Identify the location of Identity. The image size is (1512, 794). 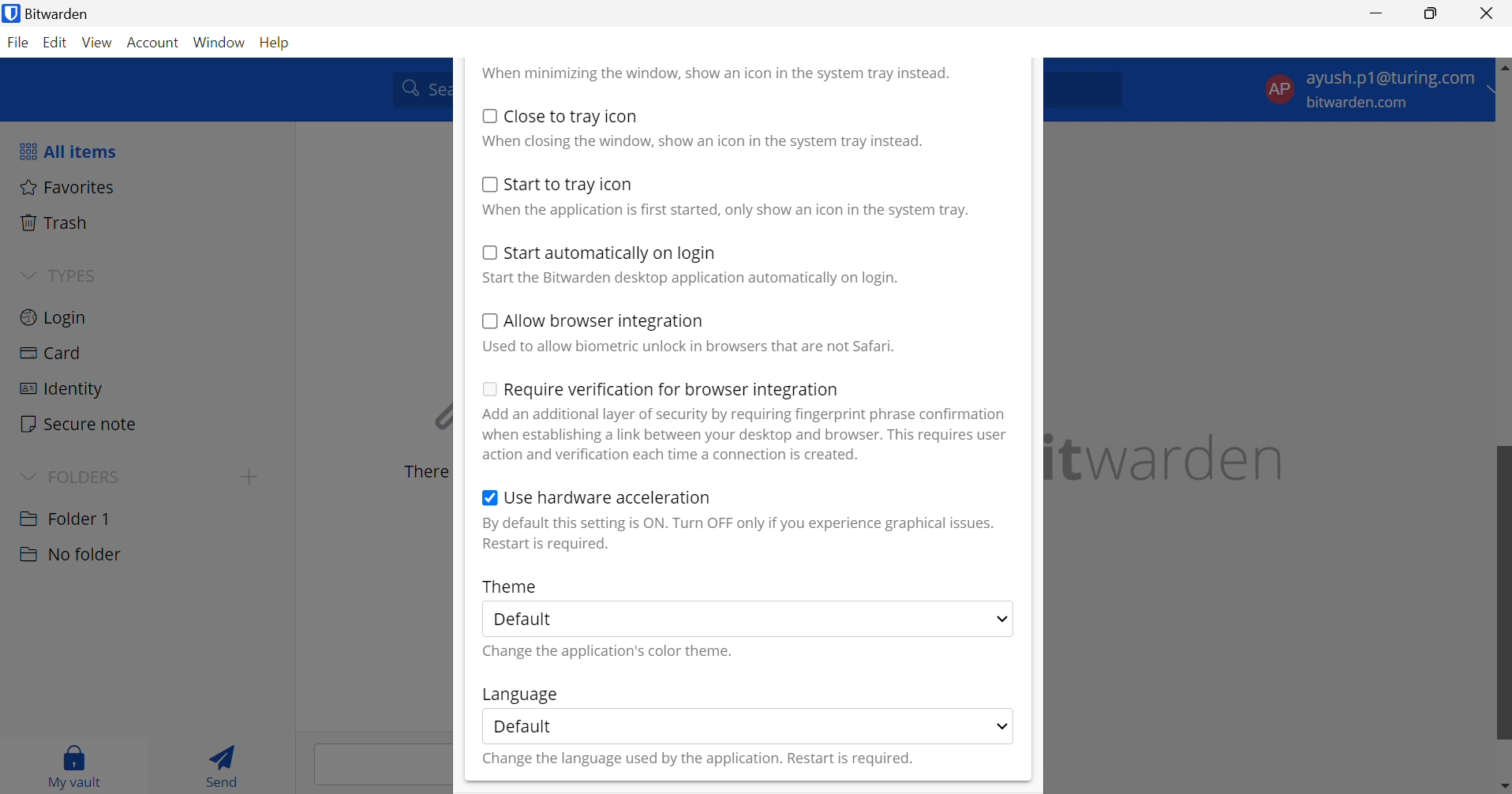
(60, 389).